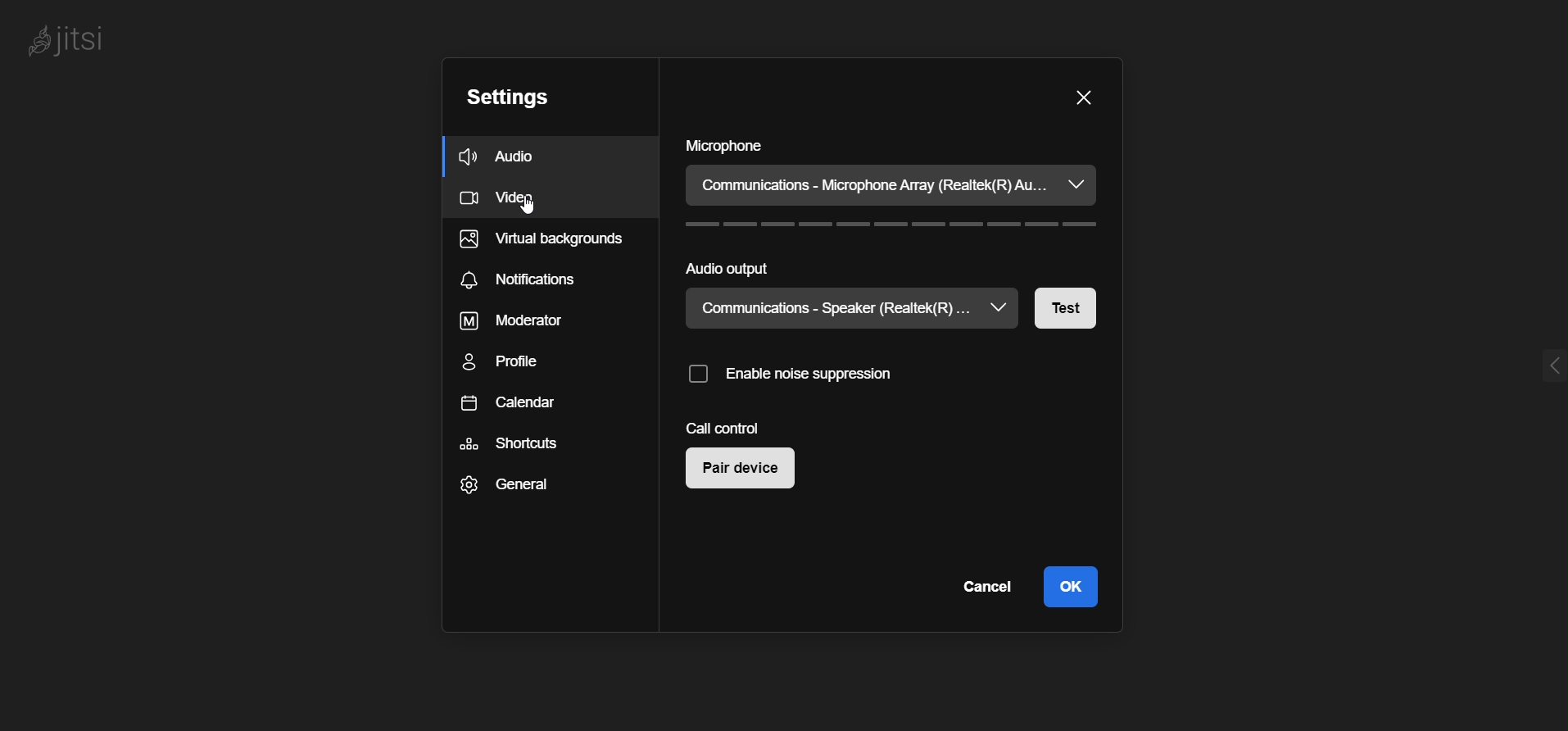  I want to click on calendar, so click(514, 406).